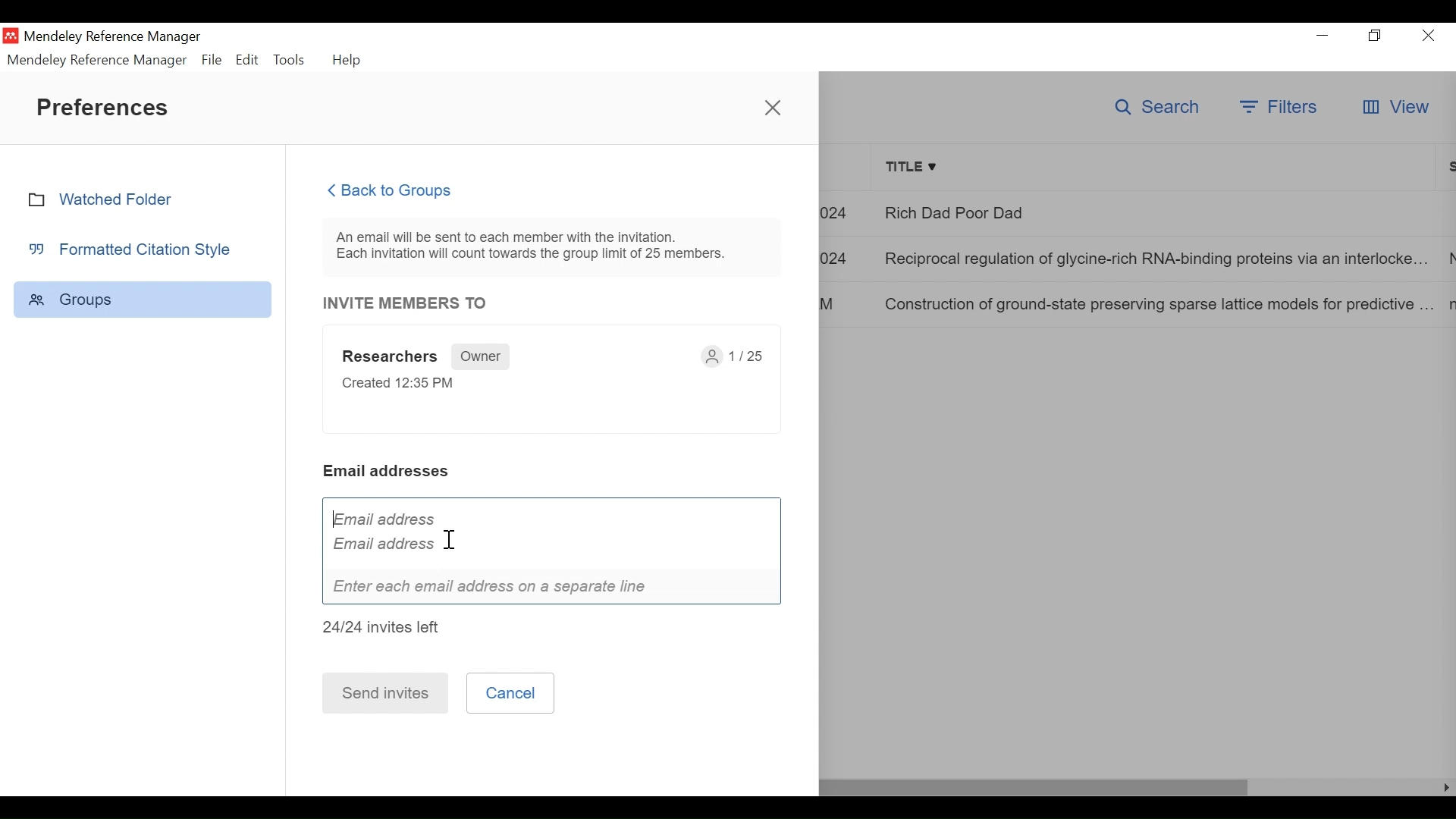 The height and width of the screenshot is (819, 1456). I want to click on Close, so click(1429, 35).